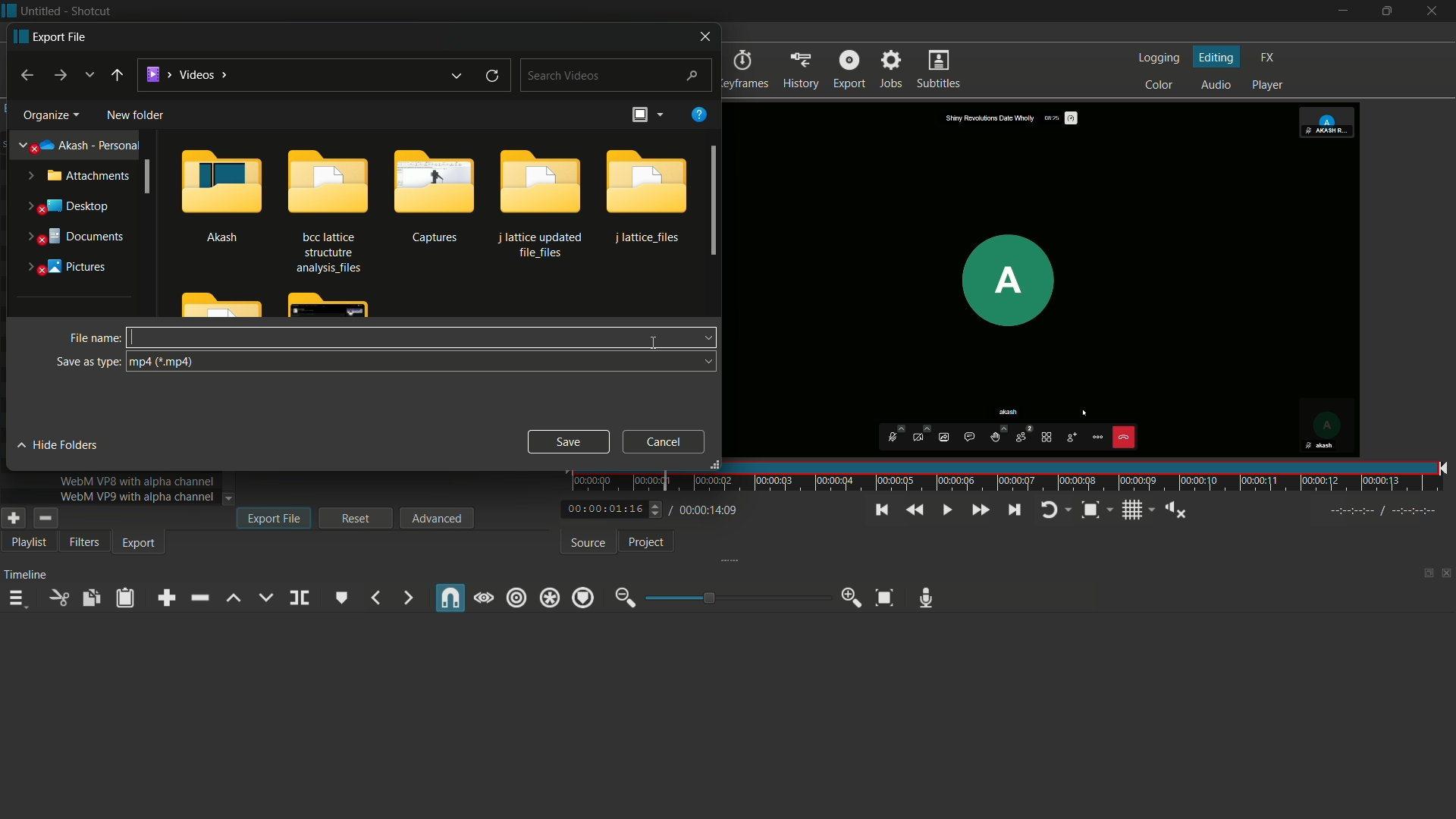 The width and height of the screenshot is (1456, 819). What do you see at coordinates (451, 598) in the screenshot?
I see `snap` at bounding box center [451, 598].